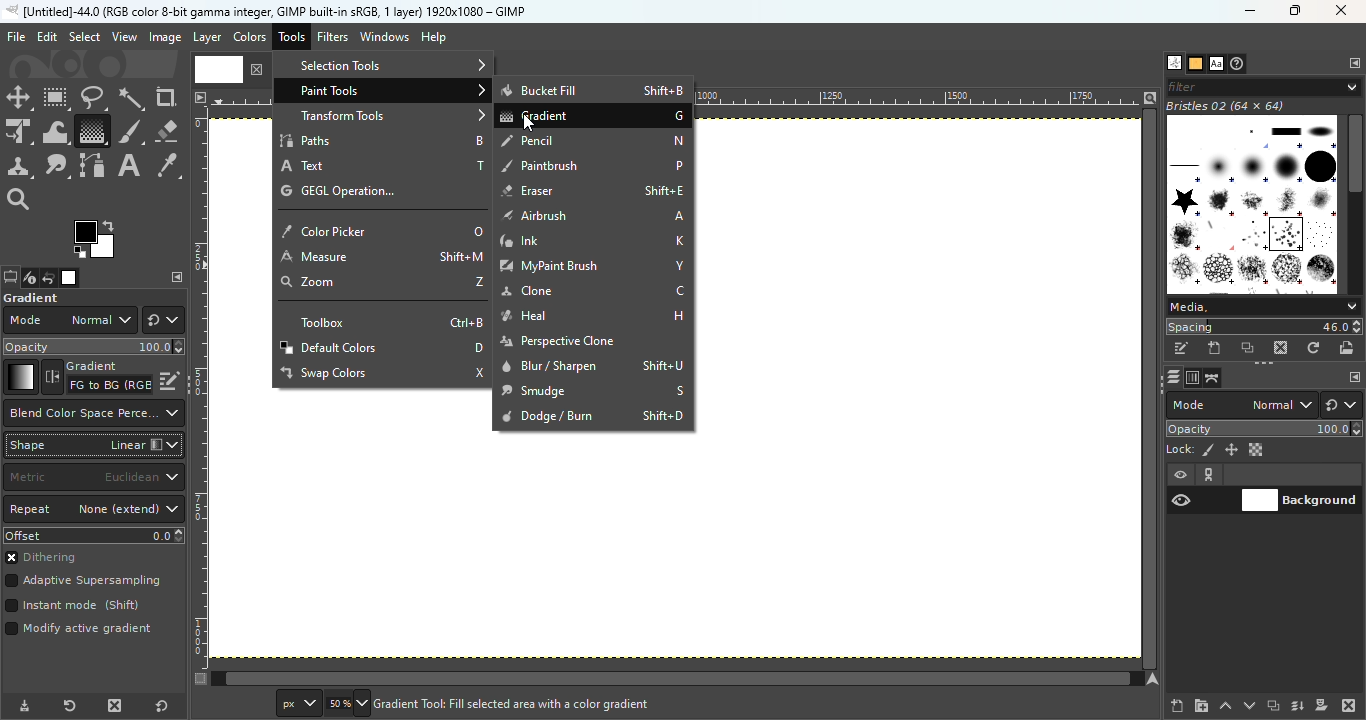 This screenshot has height=720, width=1366. Describe the element at coordinates (69, 320) in the screenshot. I see `Mode` at that location.